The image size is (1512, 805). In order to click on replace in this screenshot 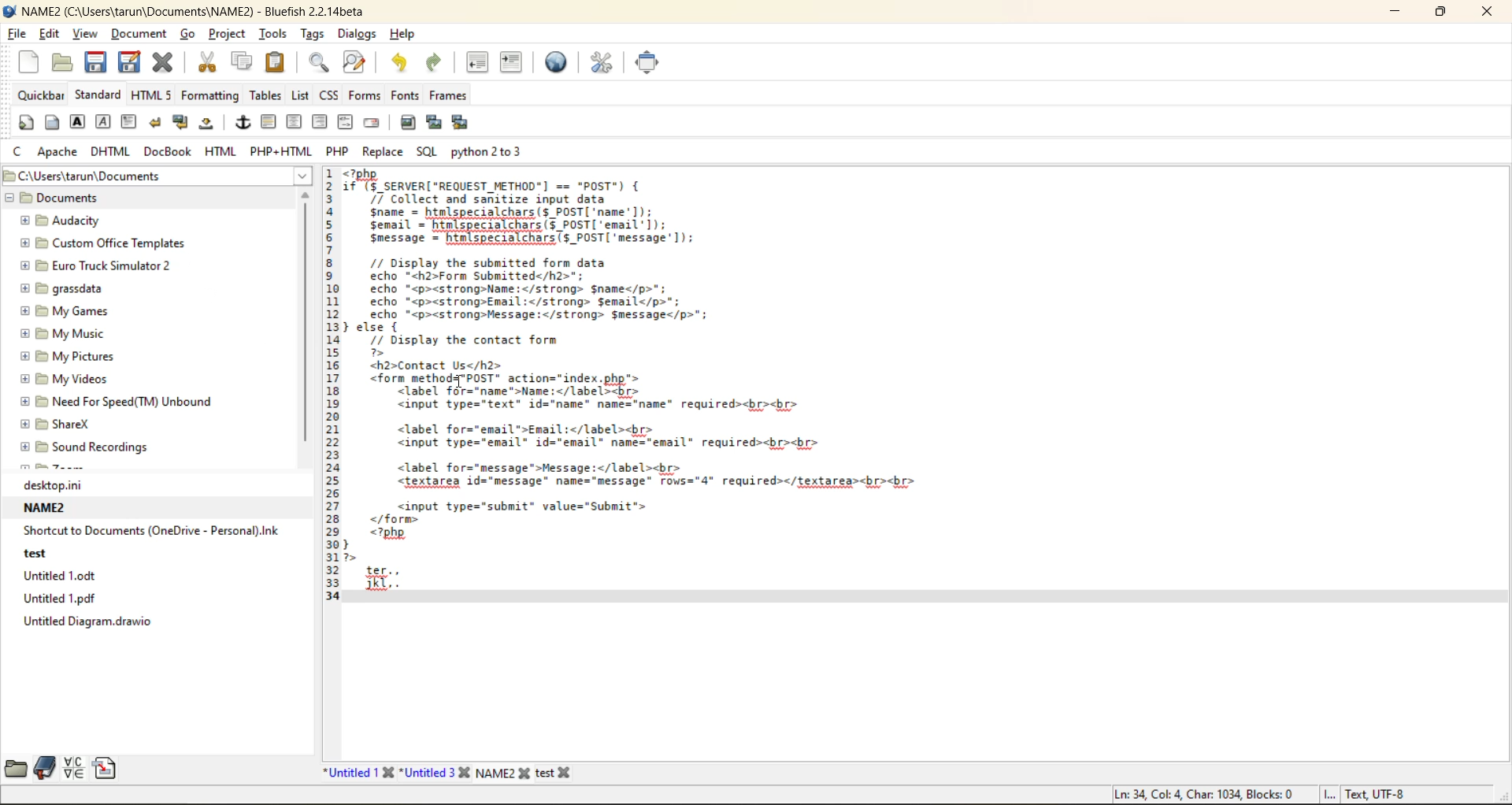, I will do `click(385, 150)`.